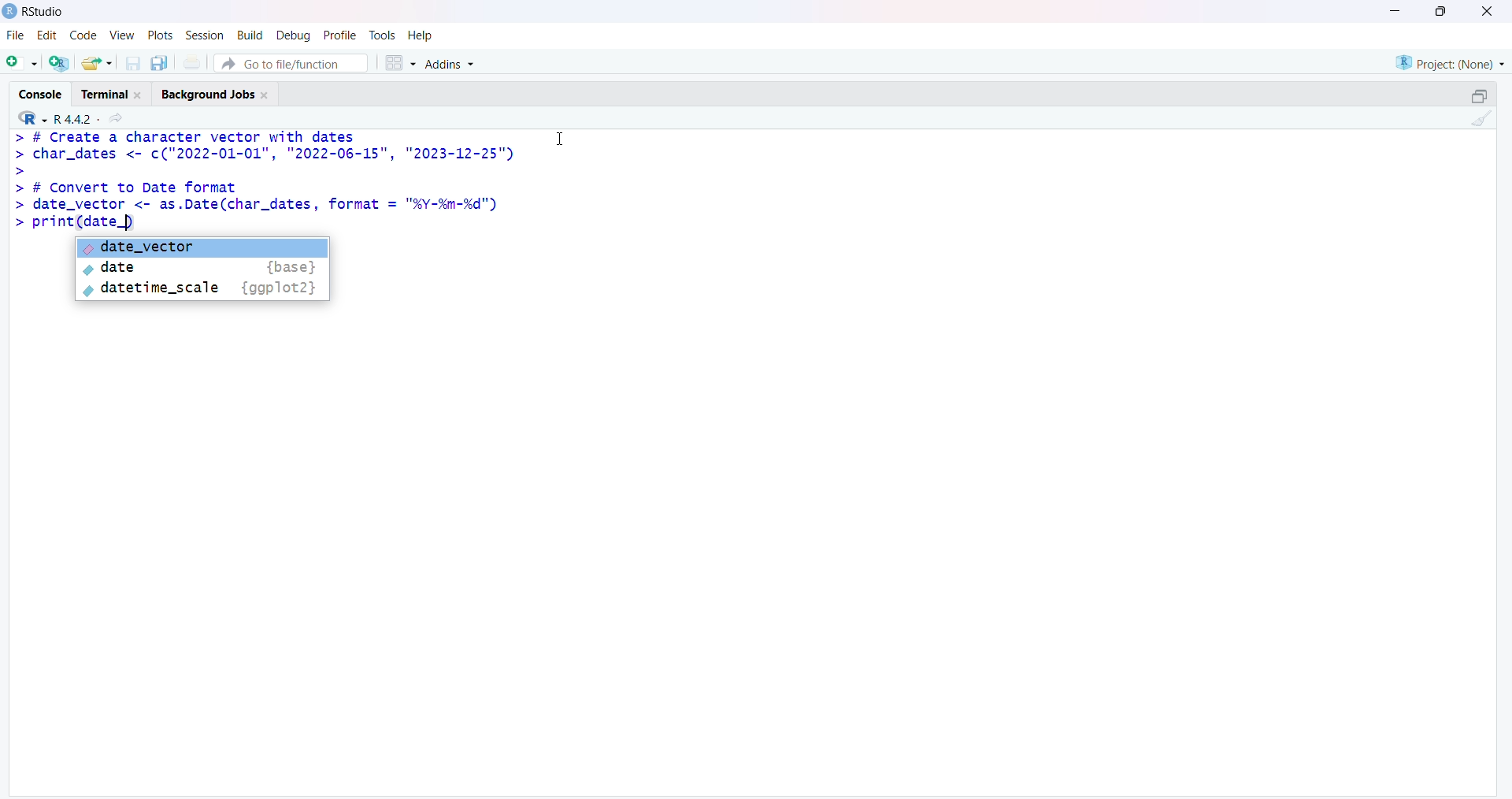 The height and width of the screenshot is (799, 1512). What do you see at coordinates (1441, 11) in the screenshot?
I see `Maximize` at bounding box center [1441, 11].